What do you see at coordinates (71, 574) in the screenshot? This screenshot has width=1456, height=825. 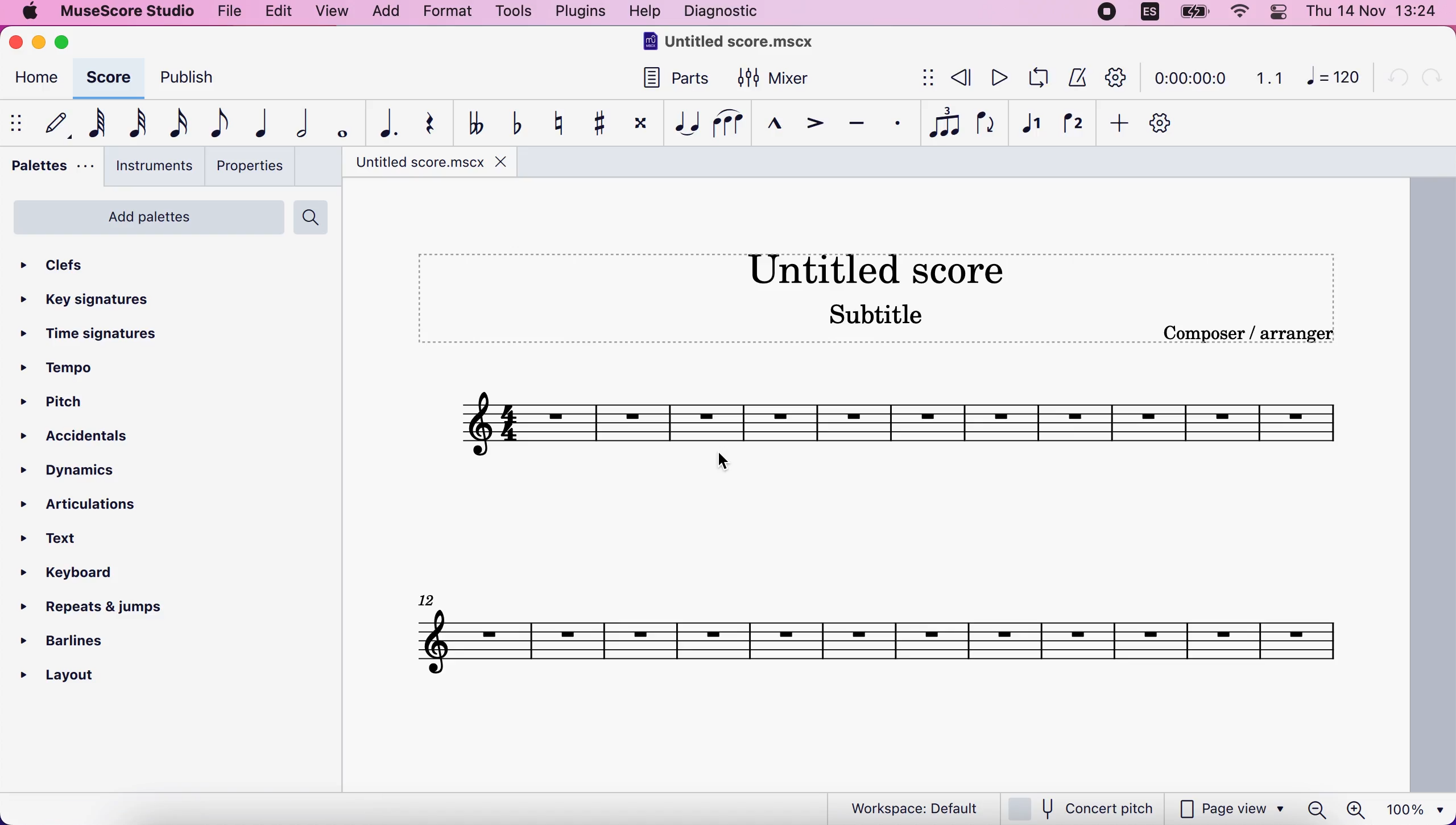 I see `keyboard` at bounding box center [71, 574].